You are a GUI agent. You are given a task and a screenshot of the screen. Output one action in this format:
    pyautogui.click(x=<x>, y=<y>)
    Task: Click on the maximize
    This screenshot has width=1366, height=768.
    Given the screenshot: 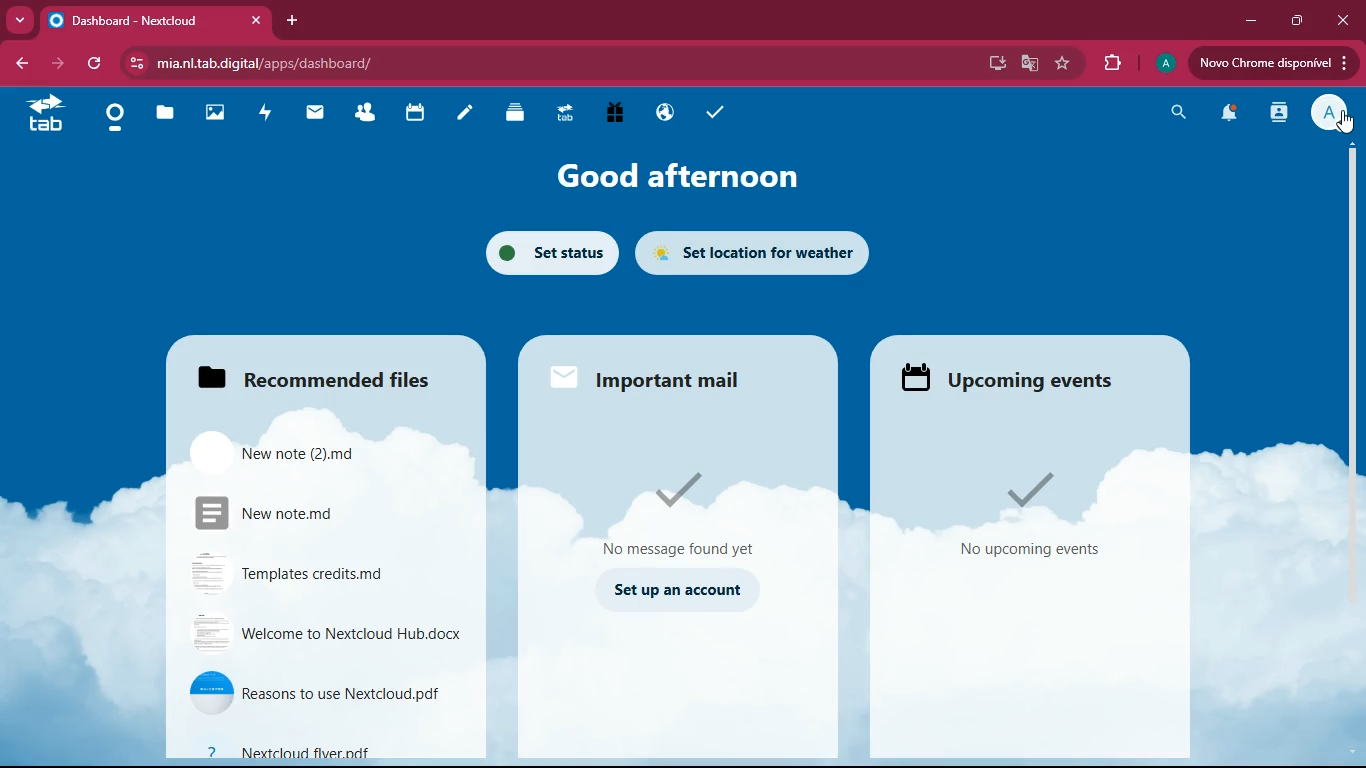 What is the action you would take?
    pyautogui.click(x=1294, y=21)
    